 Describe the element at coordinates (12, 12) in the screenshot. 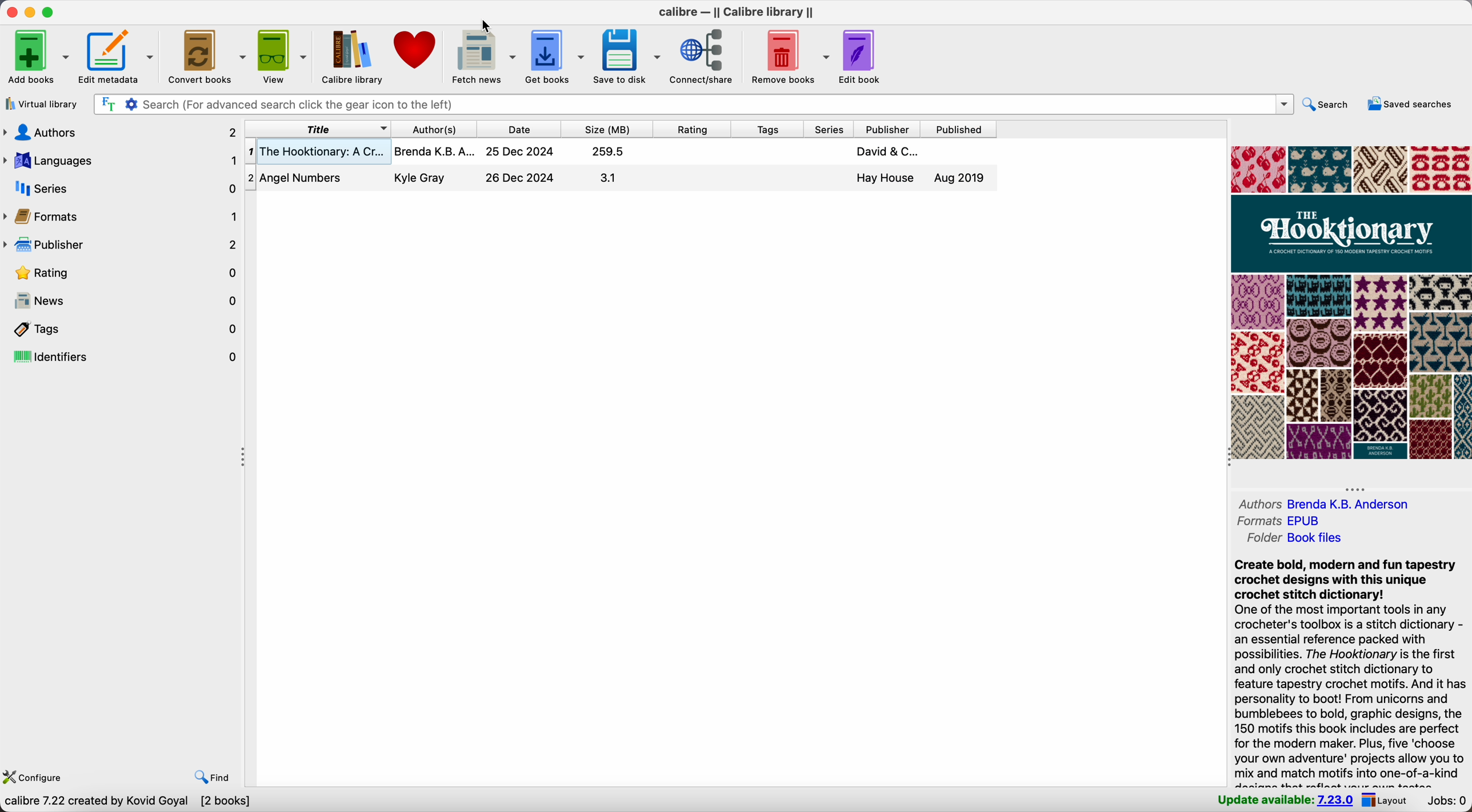

I see `close` at that location.